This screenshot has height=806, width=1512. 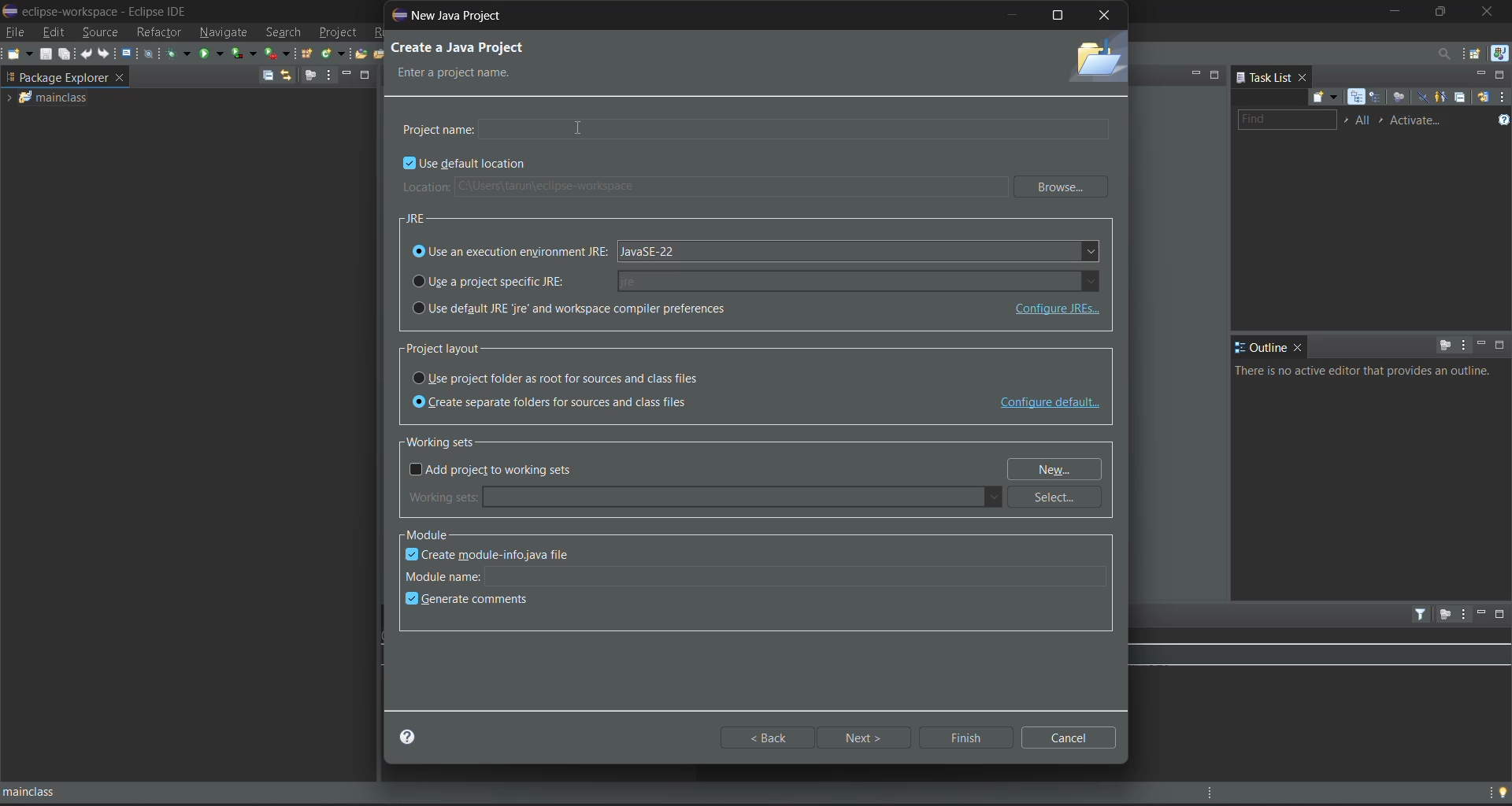 What do you see at coordinates (222, 32) in the screenshot?
I see `navigate` at bounding box center [222, 32].